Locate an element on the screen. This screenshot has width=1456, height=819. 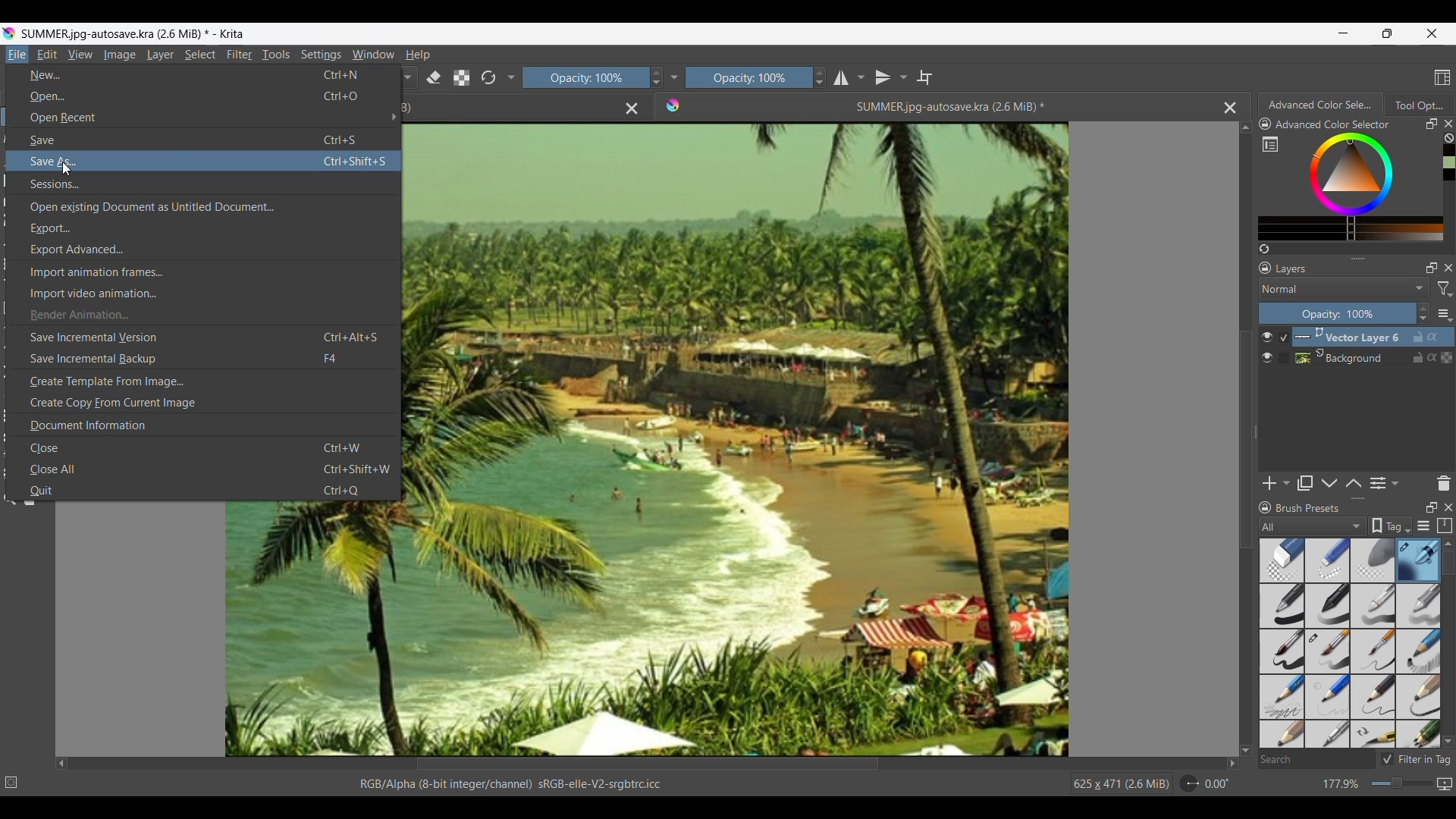
View is located at coordinates (80, 55).